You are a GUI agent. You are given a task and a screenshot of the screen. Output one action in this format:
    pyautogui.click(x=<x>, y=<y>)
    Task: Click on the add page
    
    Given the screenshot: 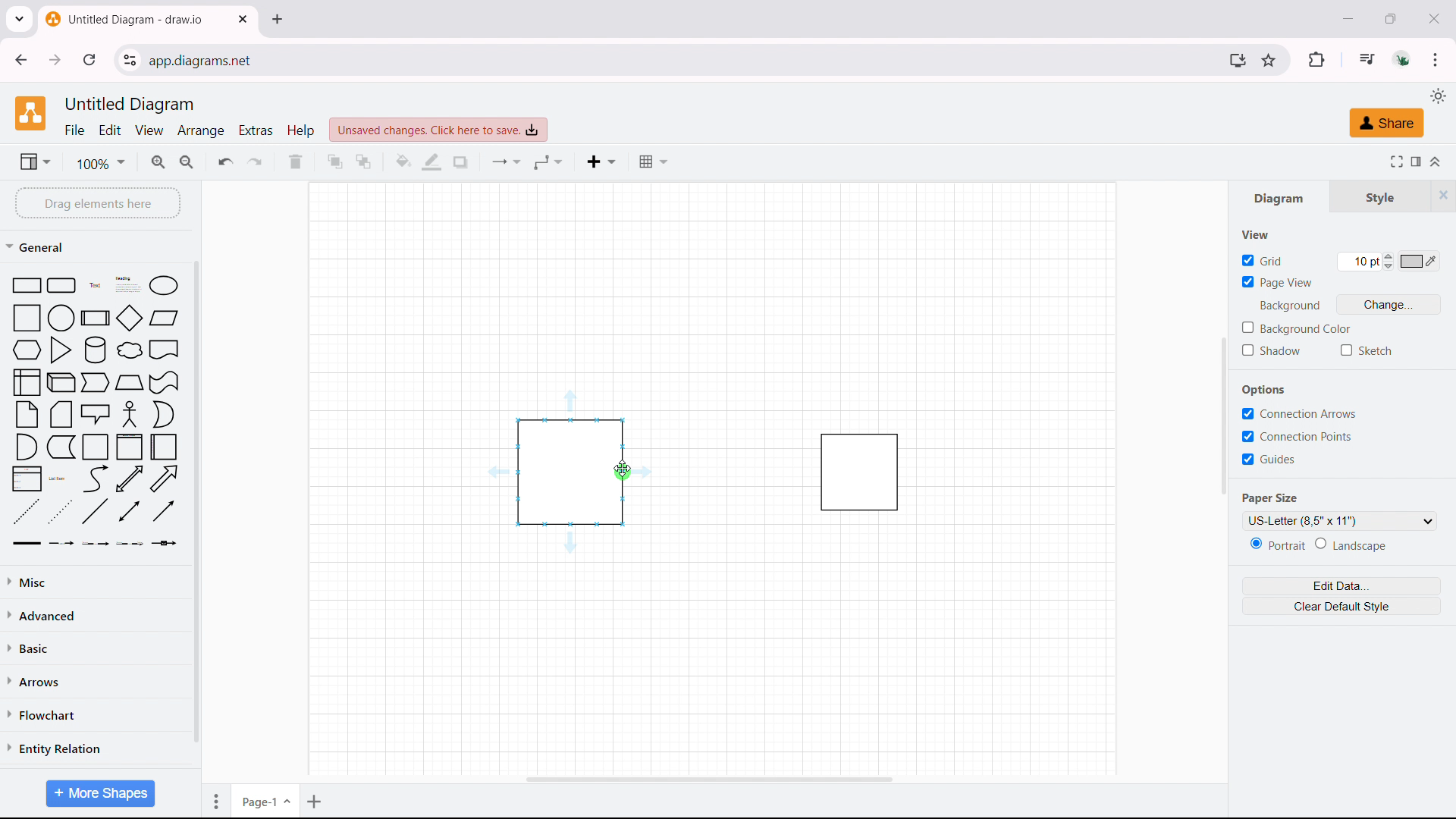 What is the action you would take?
    pyautogui.click(x=316, y=800)
    